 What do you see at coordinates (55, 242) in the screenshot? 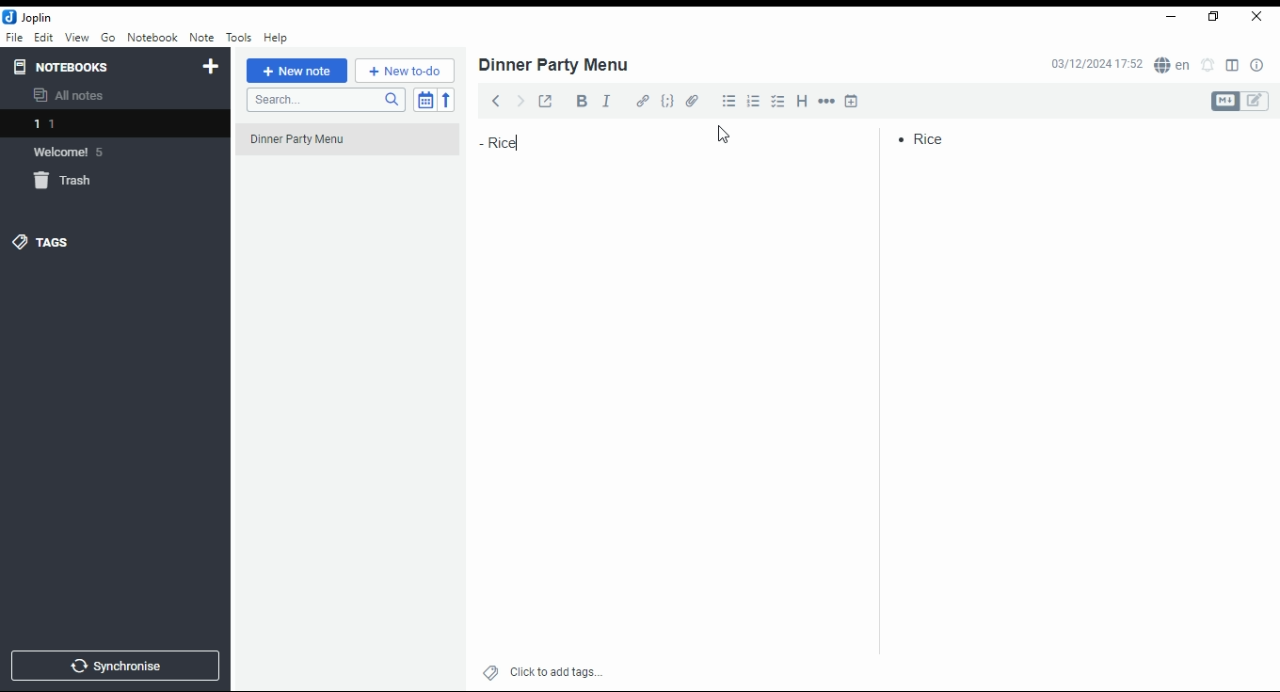
I see `tags` at bounding box center [55, 242].